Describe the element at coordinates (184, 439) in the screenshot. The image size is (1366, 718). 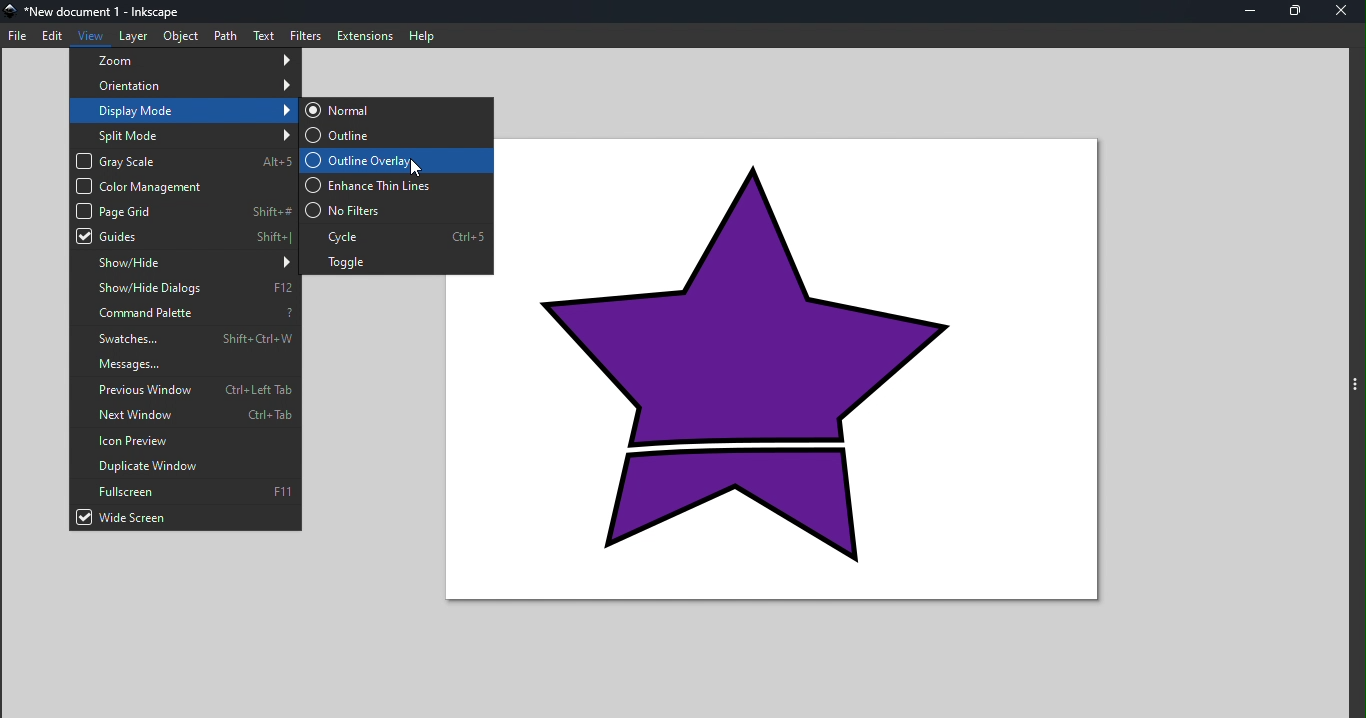
I see `Icon preview` at that location.